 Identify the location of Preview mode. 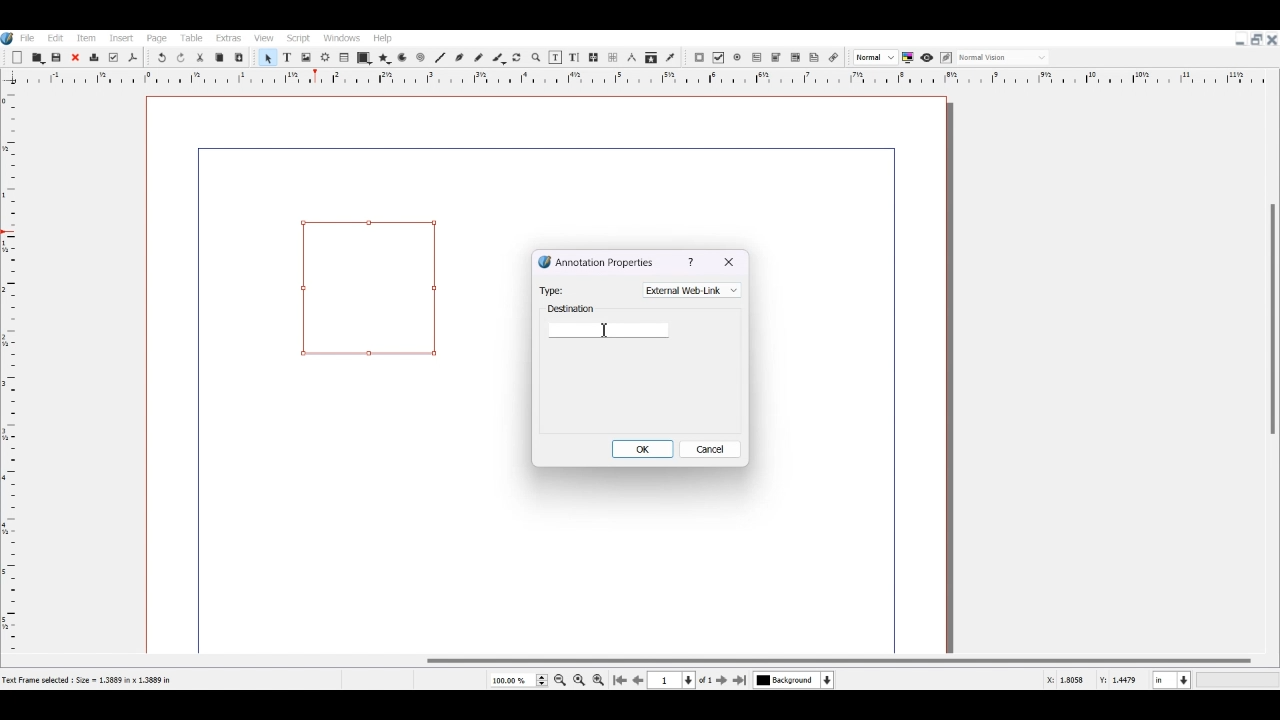
(926, 57).